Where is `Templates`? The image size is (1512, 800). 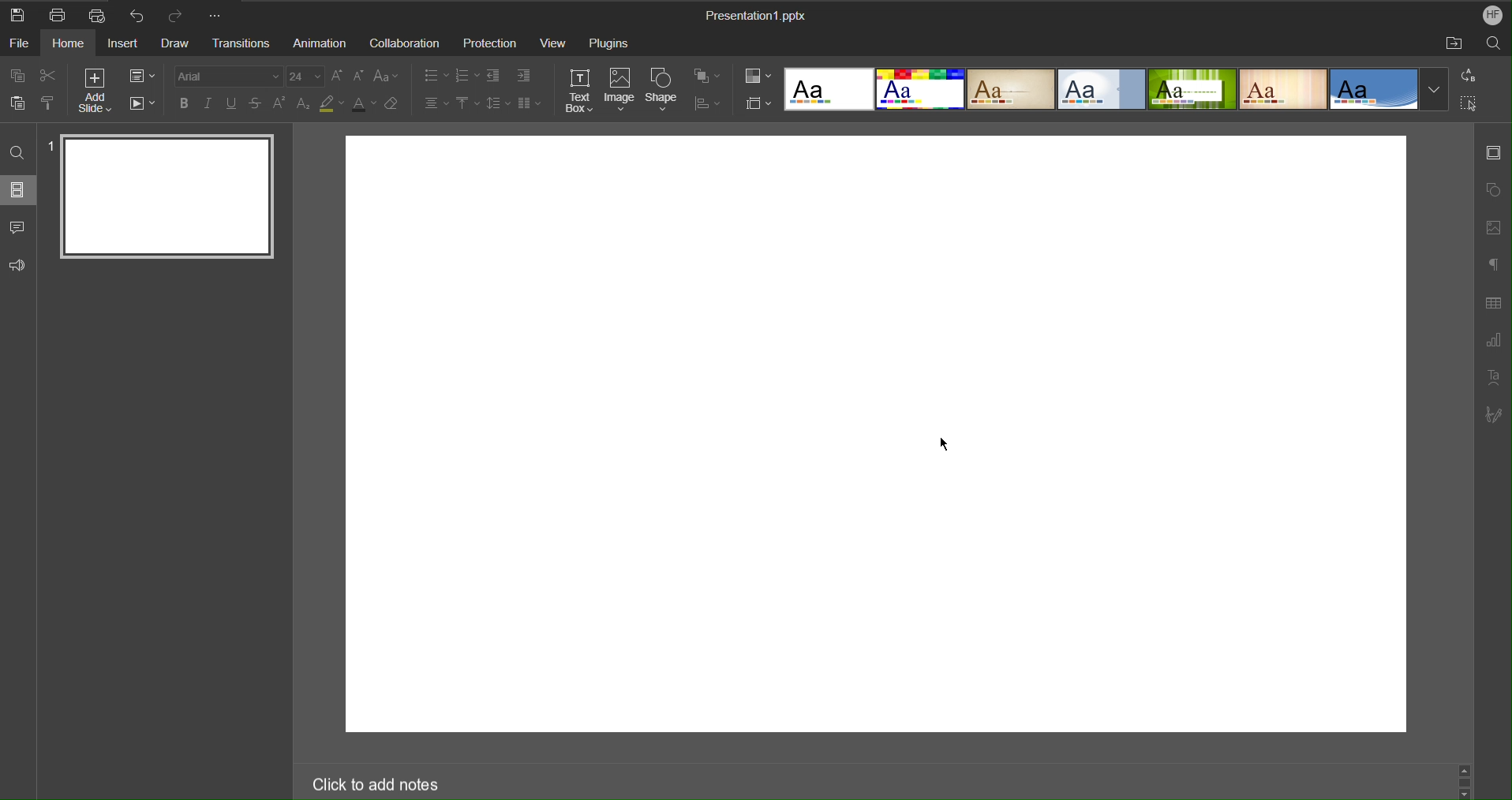
Templates is located at coordinates (1098, 89).